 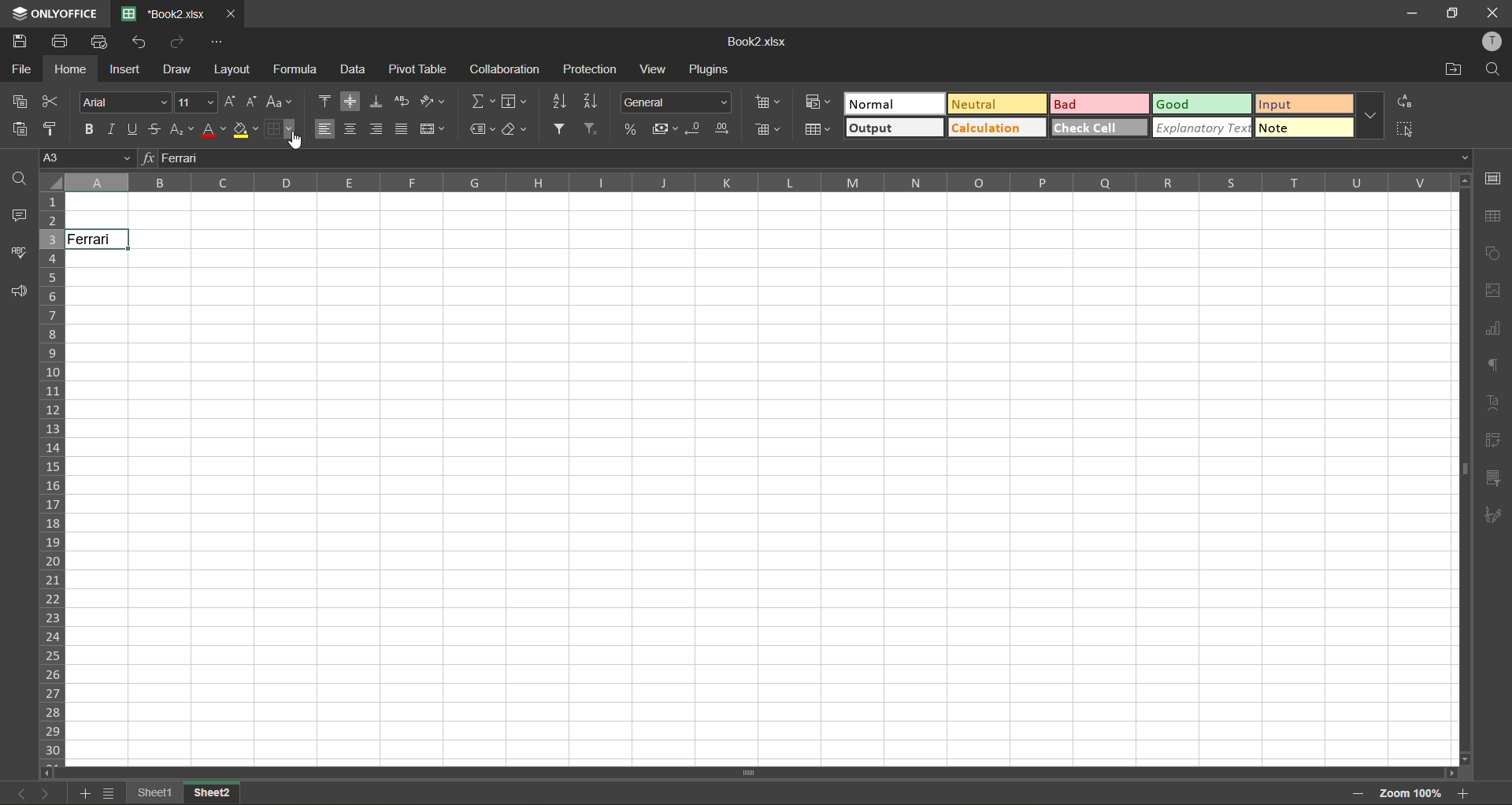 I want to click on file name, so click(x=163, y=13).